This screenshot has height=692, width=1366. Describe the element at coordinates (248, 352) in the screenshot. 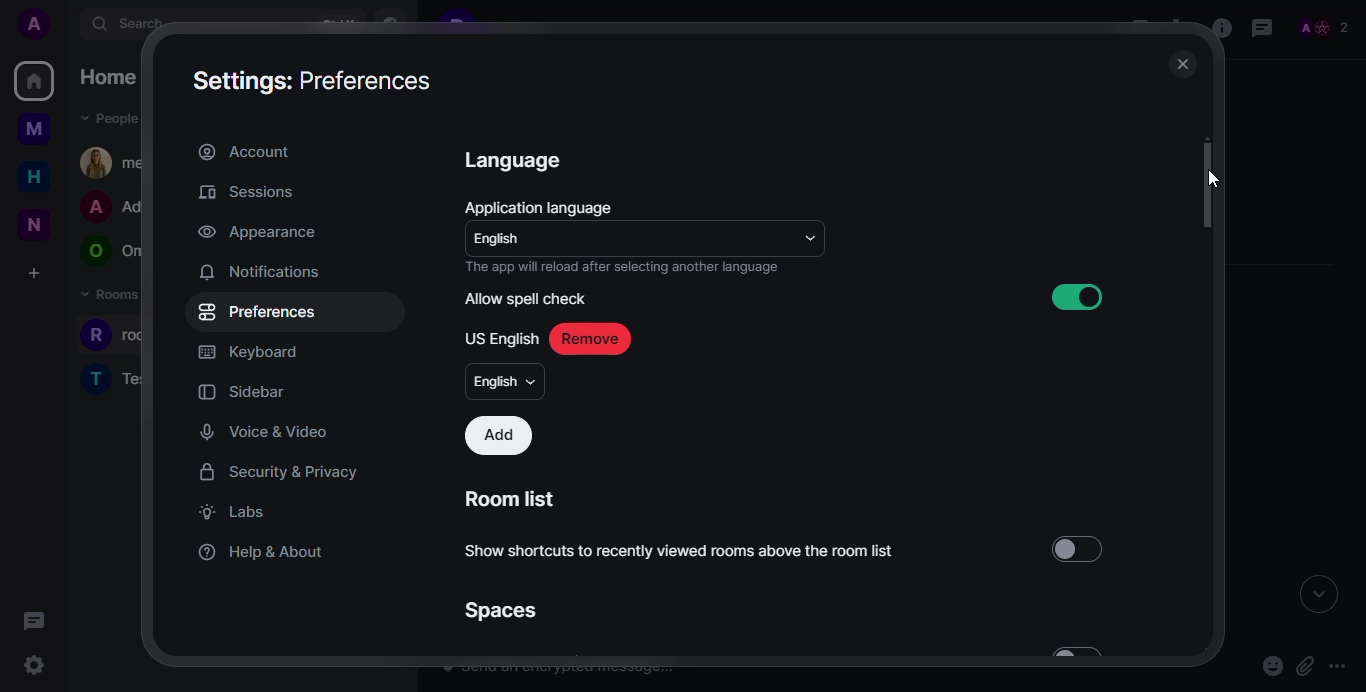

I see `keyboard` at that location.